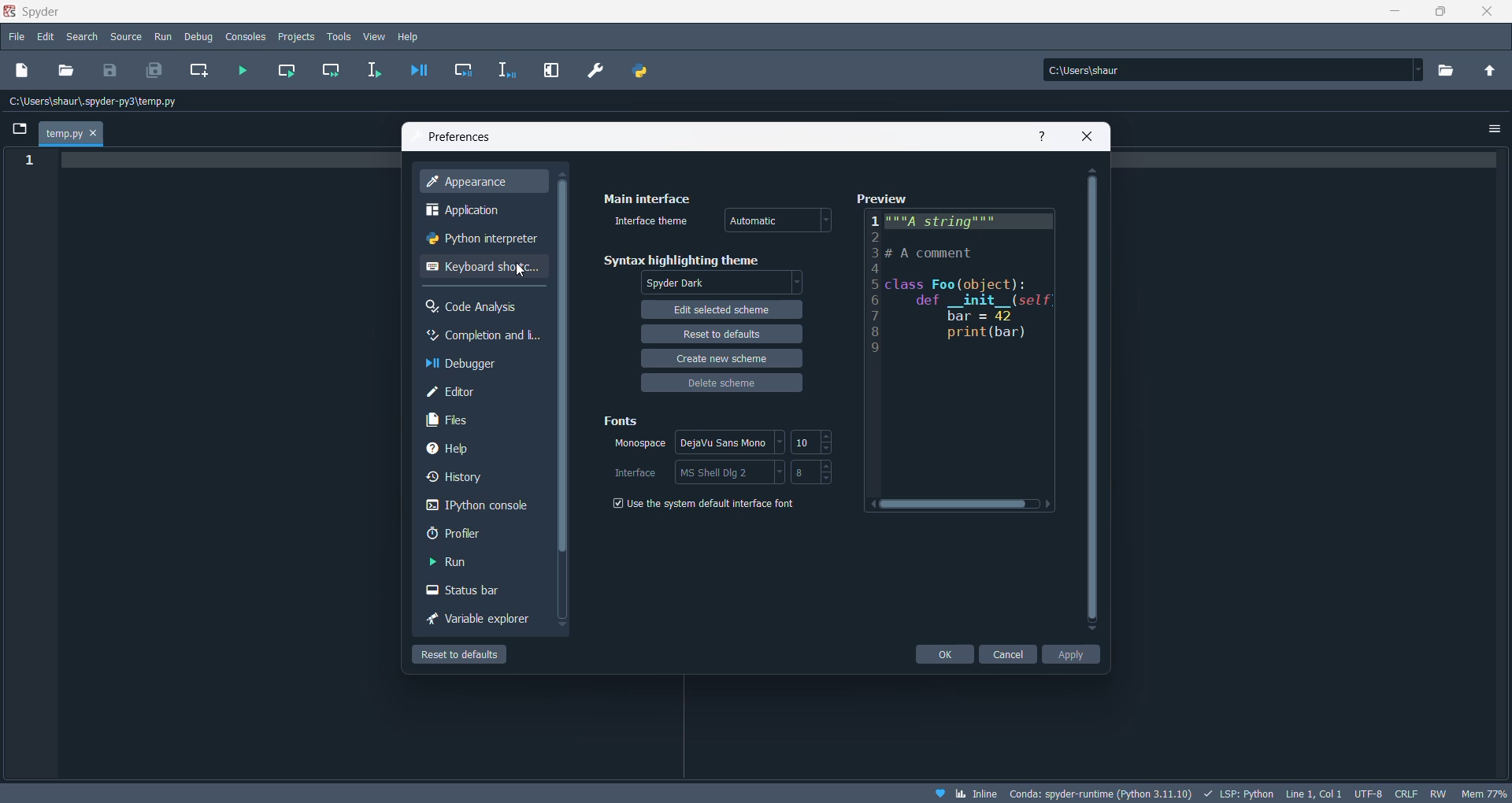  I want to click on fonts options, so click(730, 442).